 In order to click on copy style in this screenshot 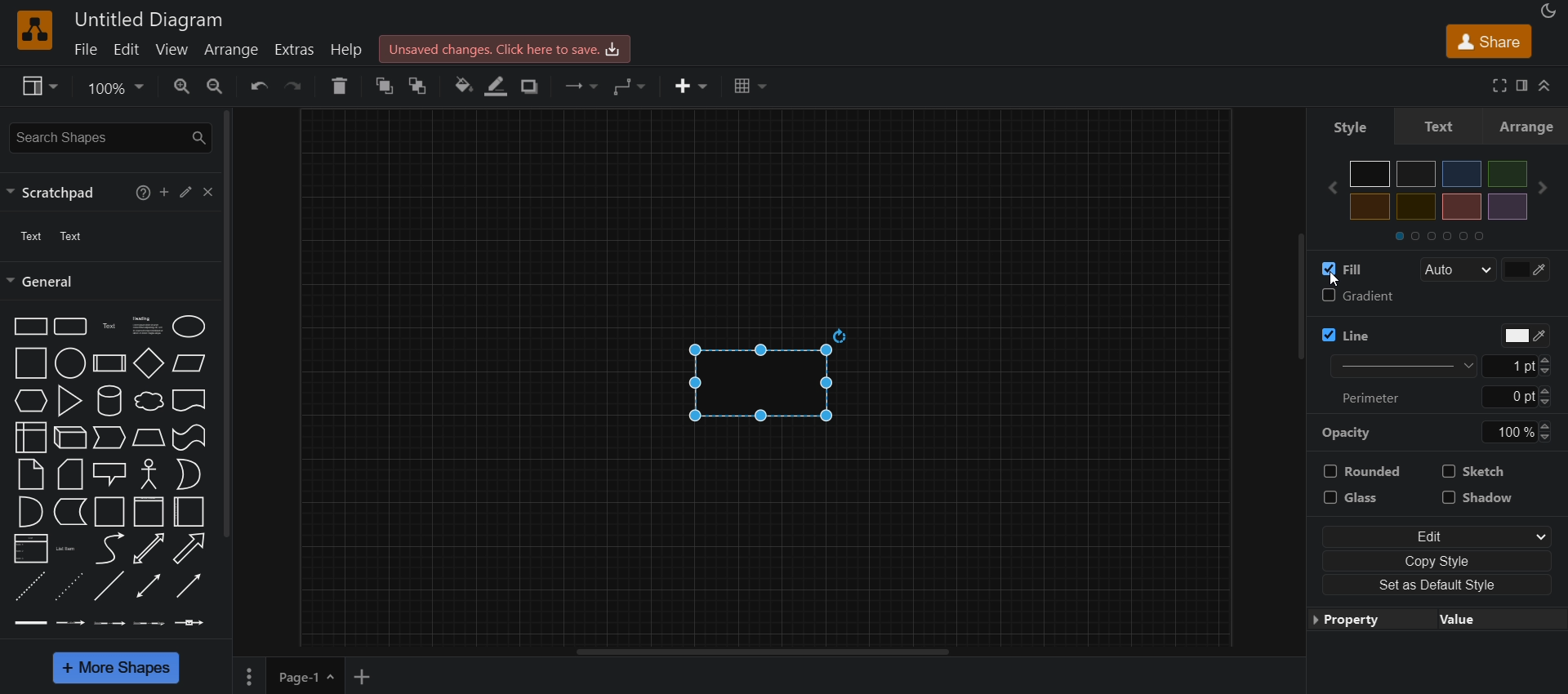, I will do `click(1441, 560)`.